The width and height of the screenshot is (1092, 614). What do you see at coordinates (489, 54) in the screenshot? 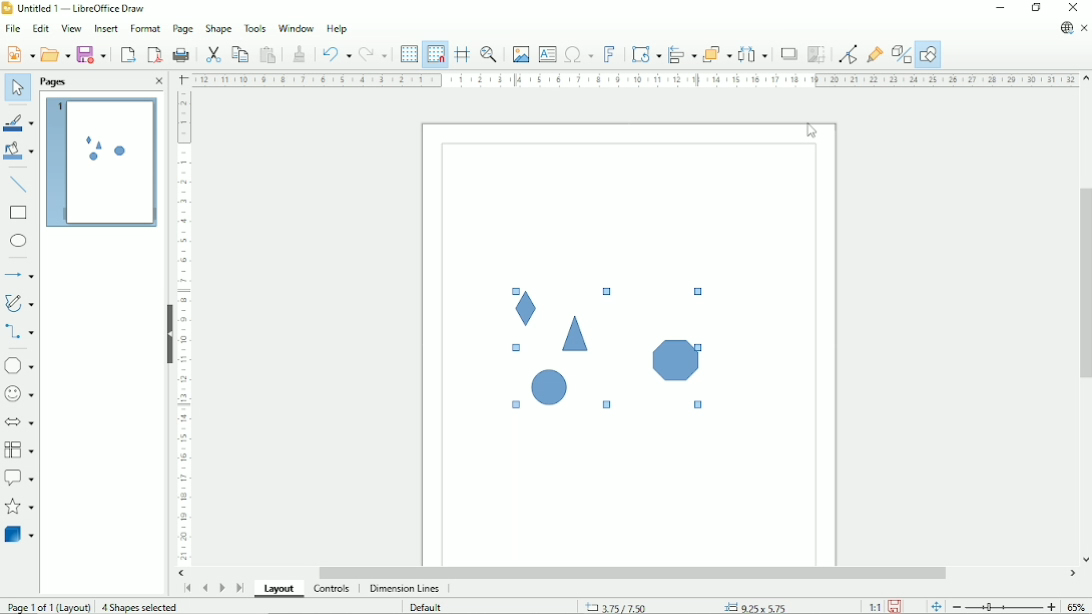
I see `Zoom & pan` at bounding box center [489, 54].